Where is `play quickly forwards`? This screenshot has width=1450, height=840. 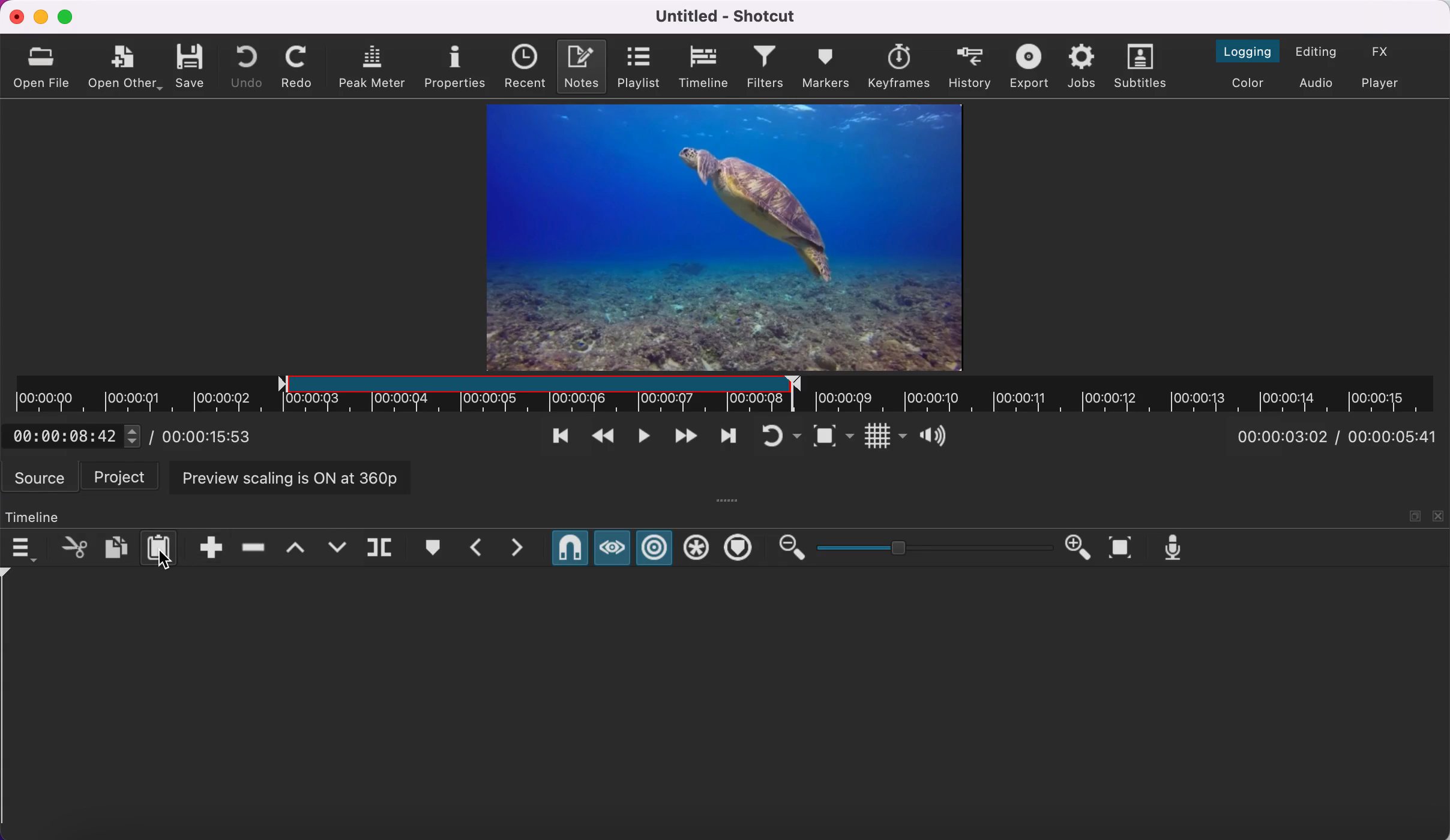
play quickly forwards is located at coordinates (682, 438).